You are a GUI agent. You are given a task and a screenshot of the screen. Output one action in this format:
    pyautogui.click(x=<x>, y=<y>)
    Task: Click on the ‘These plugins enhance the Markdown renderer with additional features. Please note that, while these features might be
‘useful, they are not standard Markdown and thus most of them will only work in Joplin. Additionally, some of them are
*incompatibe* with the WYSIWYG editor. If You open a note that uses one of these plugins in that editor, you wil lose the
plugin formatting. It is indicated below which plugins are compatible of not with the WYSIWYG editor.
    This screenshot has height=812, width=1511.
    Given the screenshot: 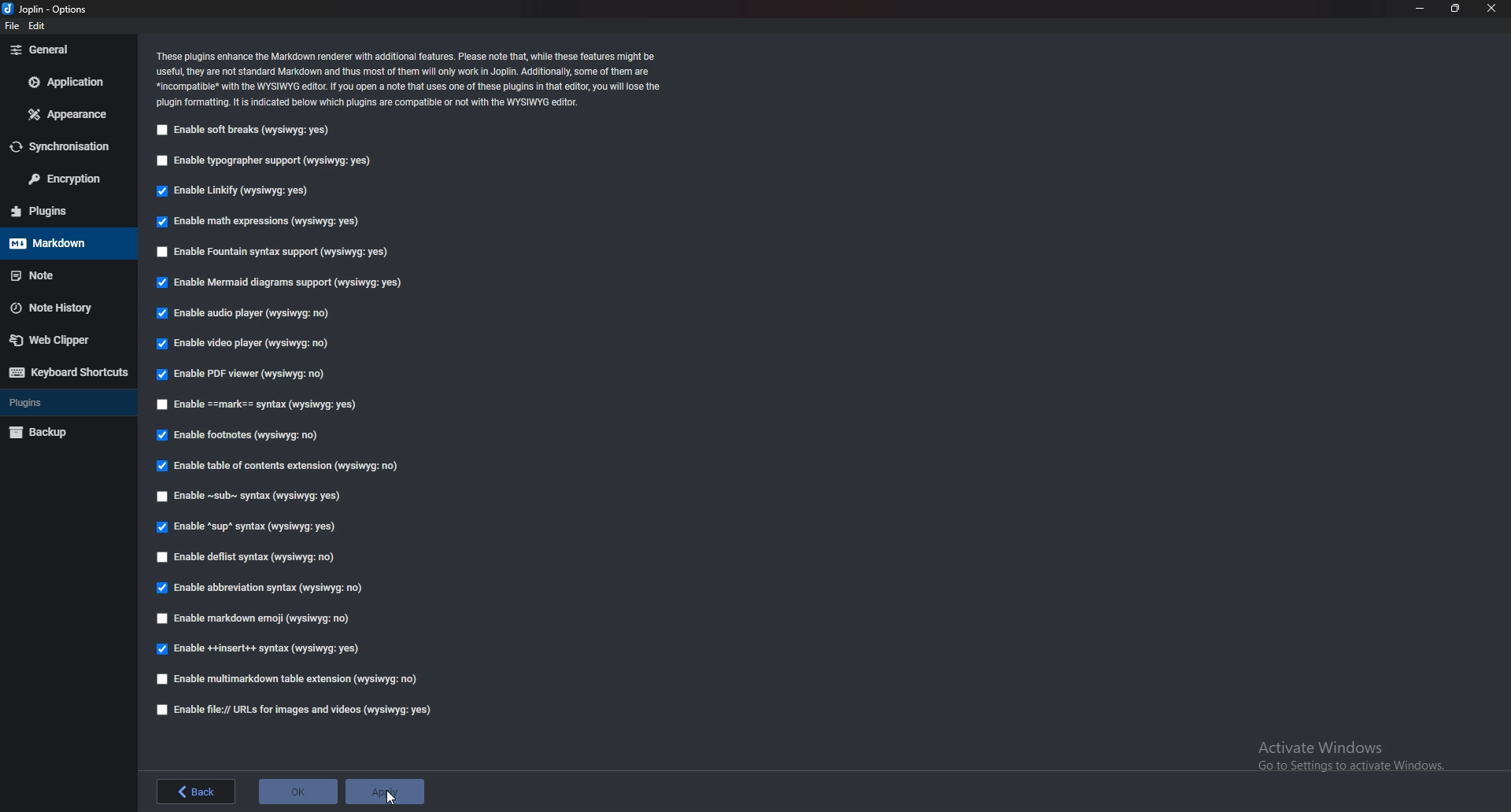 What is the action you would take?
    pyautogui.click(x=418, y=80)
    